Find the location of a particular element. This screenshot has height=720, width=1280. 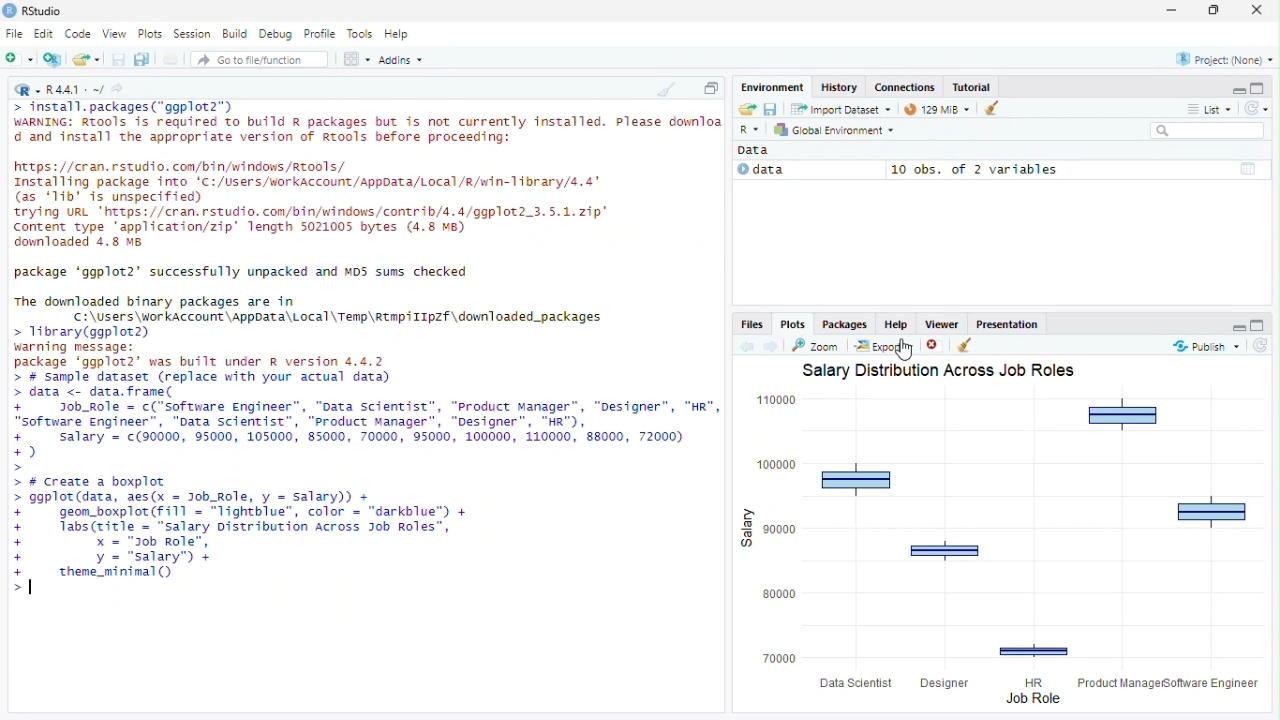

Code is located at coordinates (78, 34).